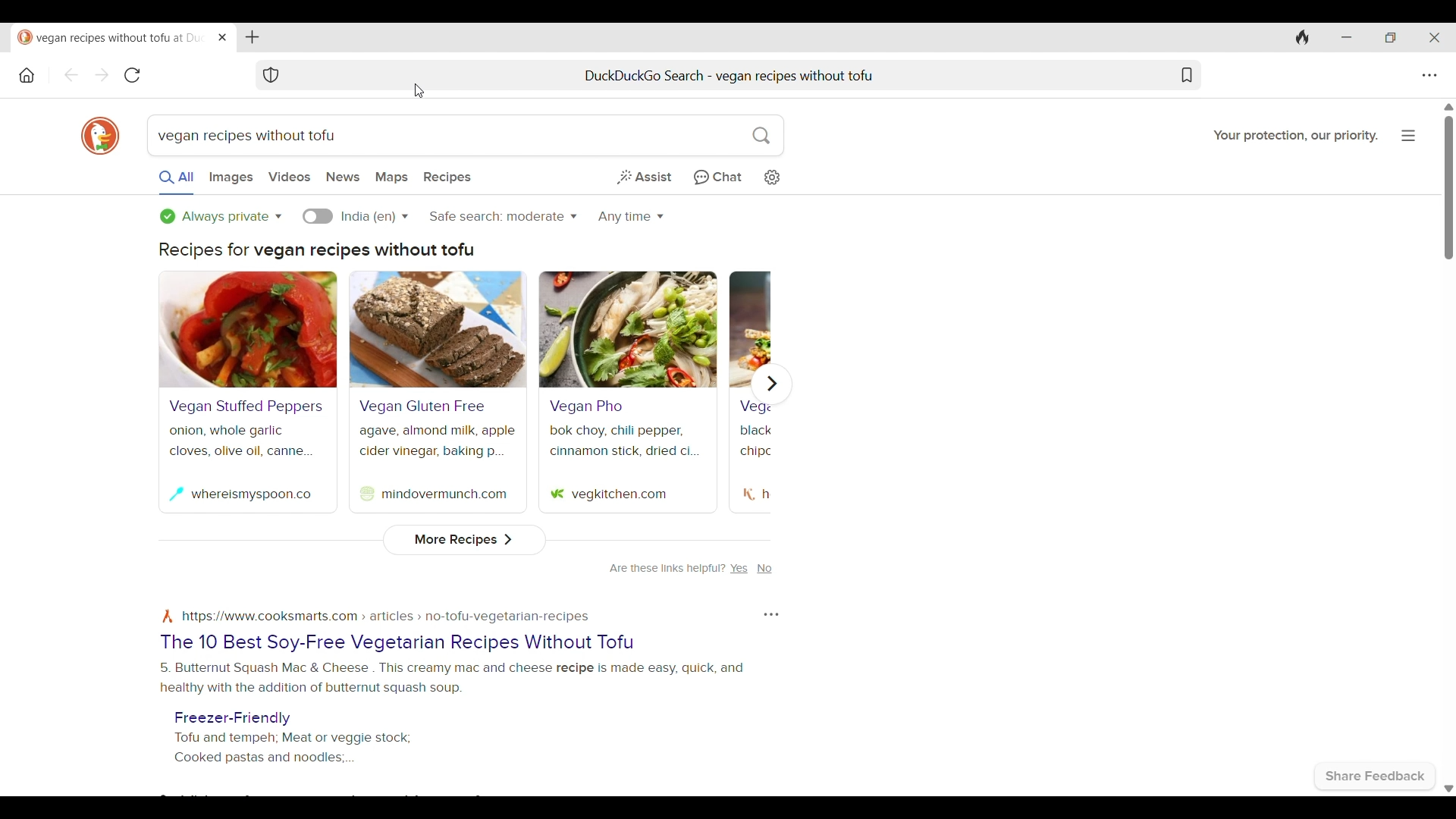  What do you see at coordinates (771, 615) in the screenshot?
I see `Feedback loop for respective search result ` at bounding box center [771, 615].